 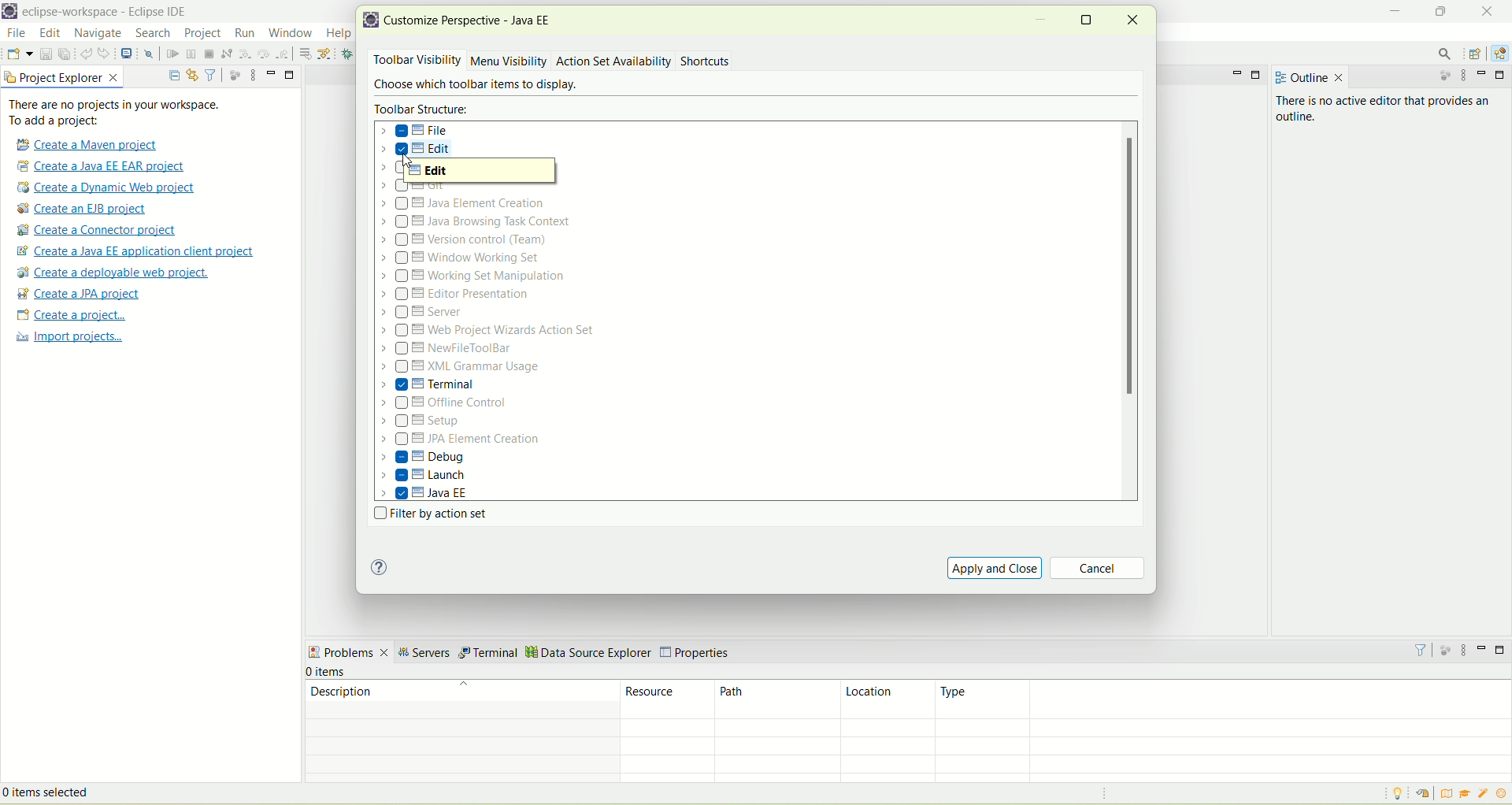 What do you see at coordinates (426, 493) in the screenshot?
I see `Java EE` at bounding box center [426, 493].